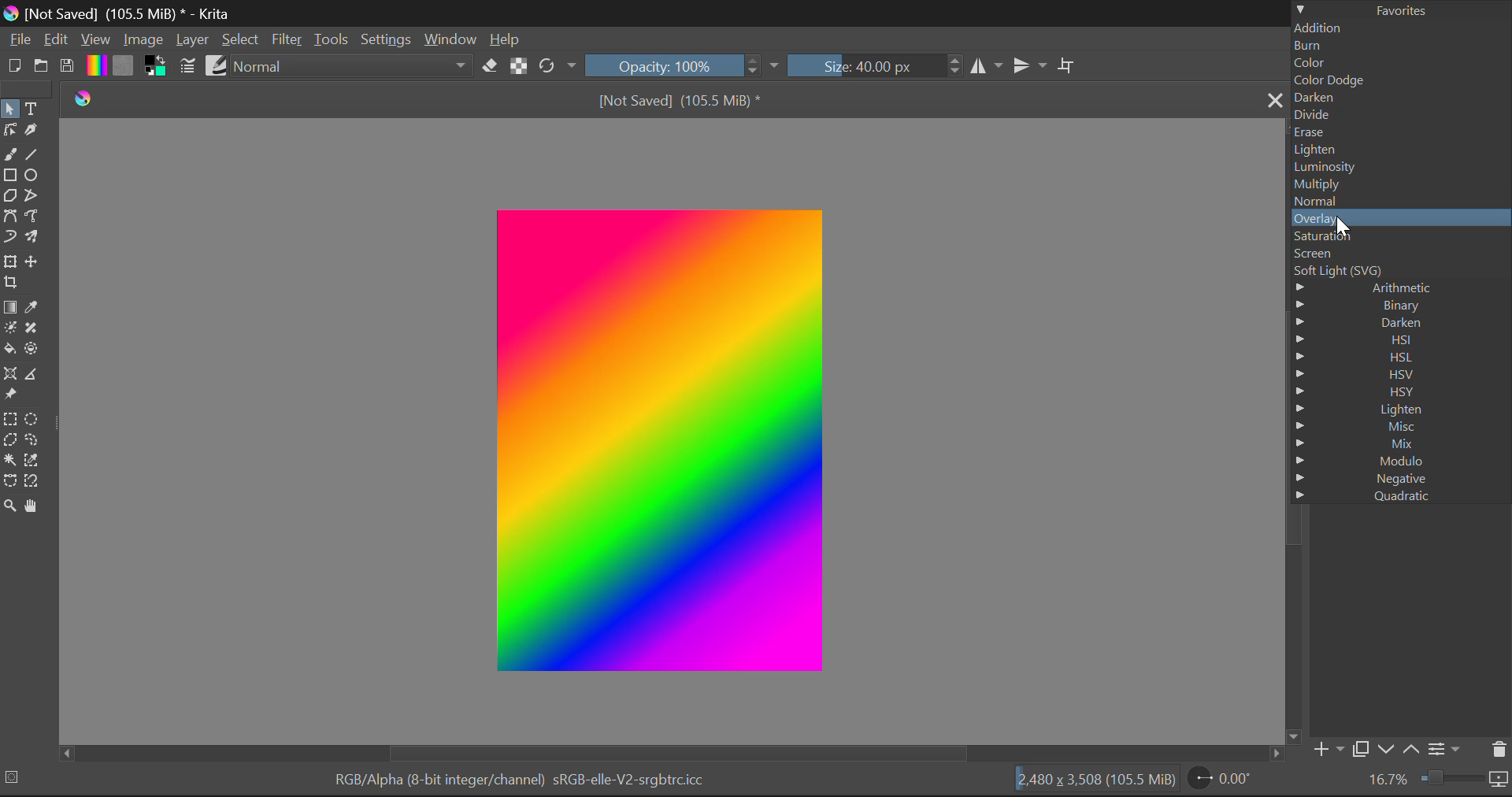  I want to click on Polygon Selection, so click(10, 440).